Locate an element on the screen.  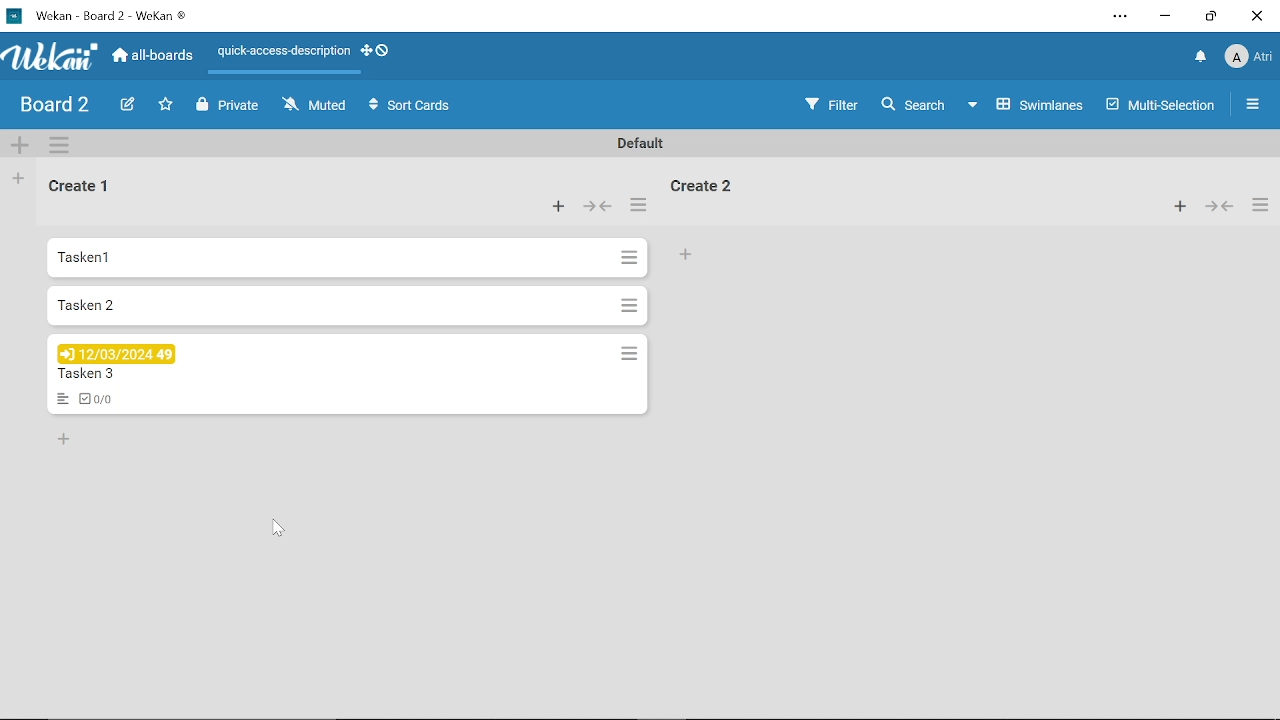
Default is located at coordinates (639, 142).